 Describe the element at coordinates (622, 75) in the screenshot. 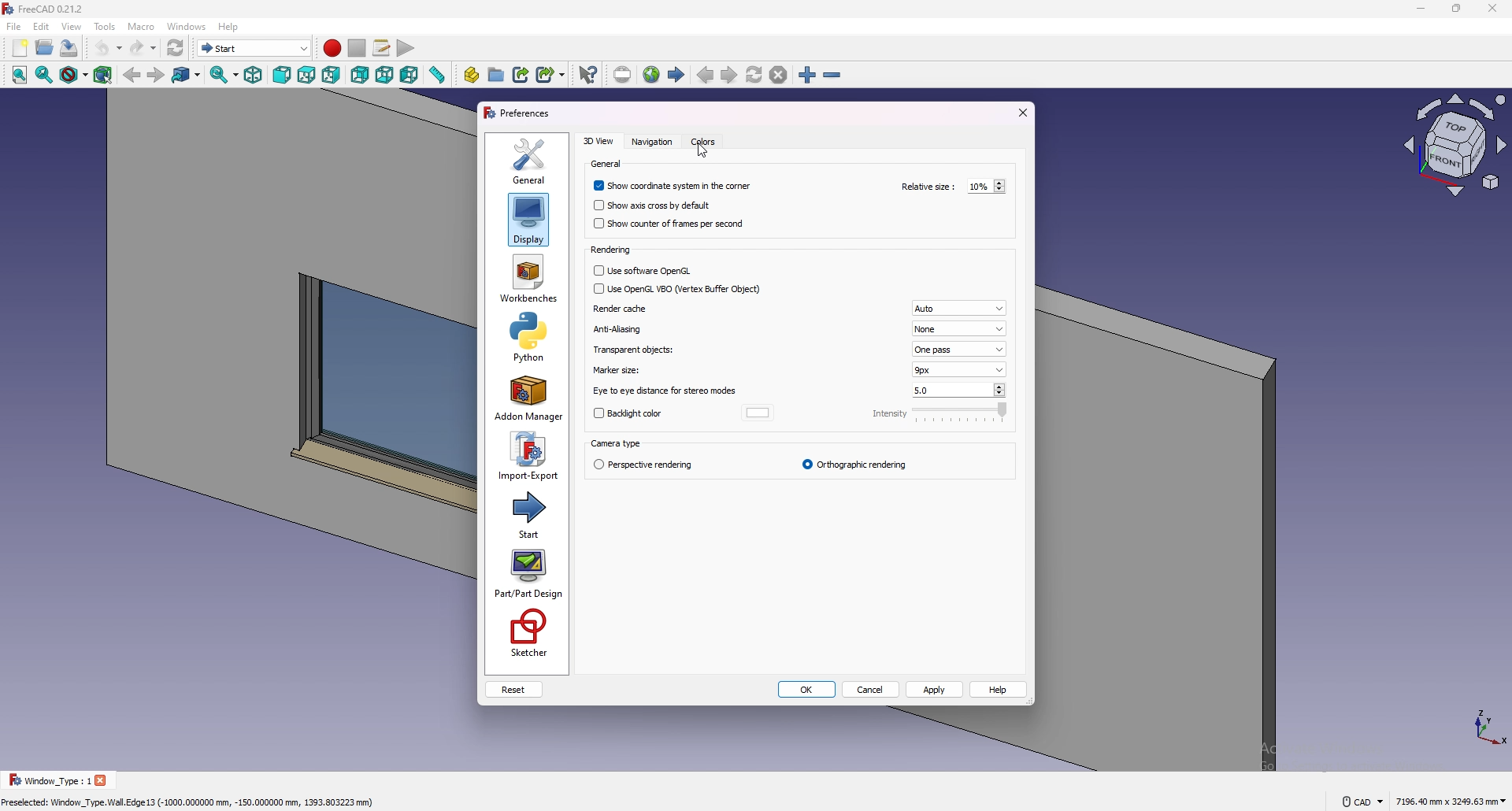

I see `set url` at that location.